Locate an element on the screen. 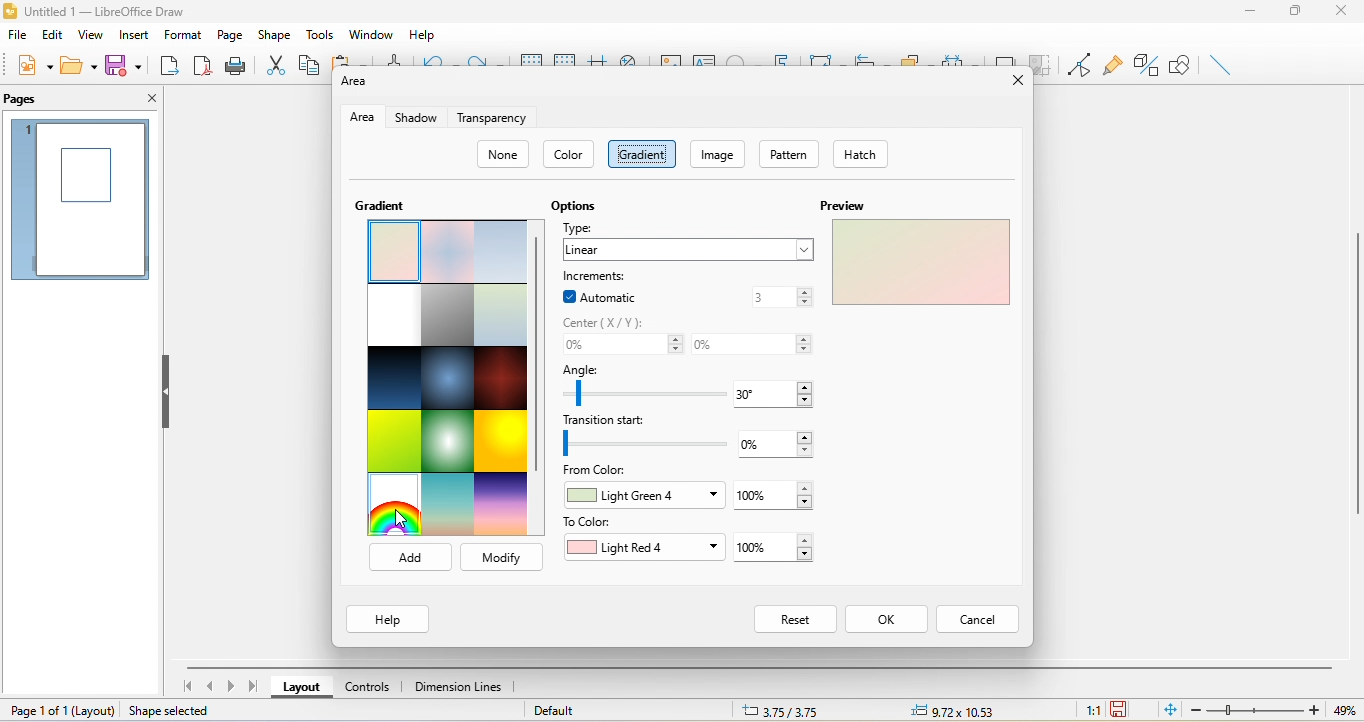 Image resolution: width=1364 pixels, height=722 pixels. angle is located at coordinates (639, 385).